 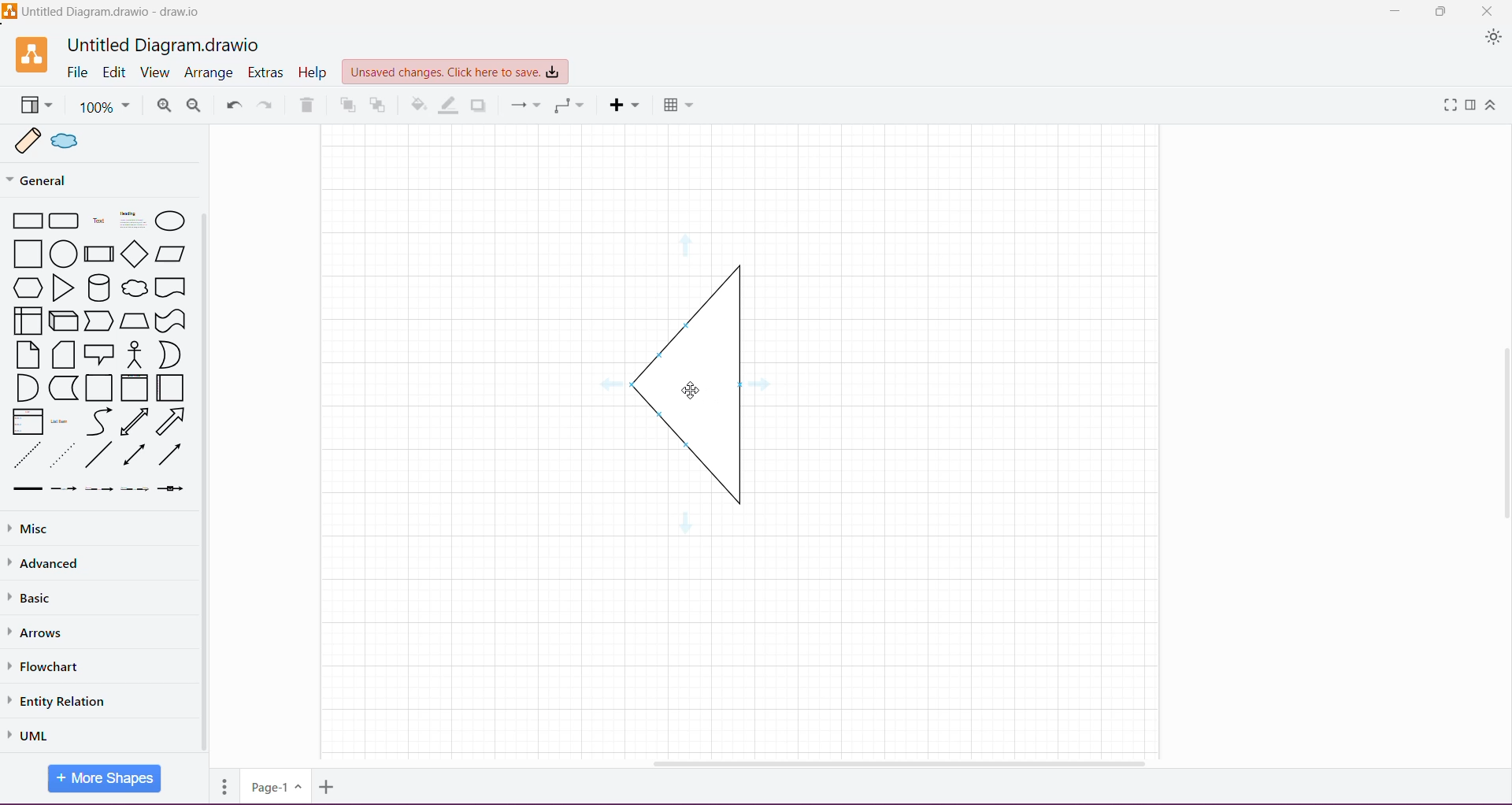 I want to click on Zoom In, so click(x=164, y=106).